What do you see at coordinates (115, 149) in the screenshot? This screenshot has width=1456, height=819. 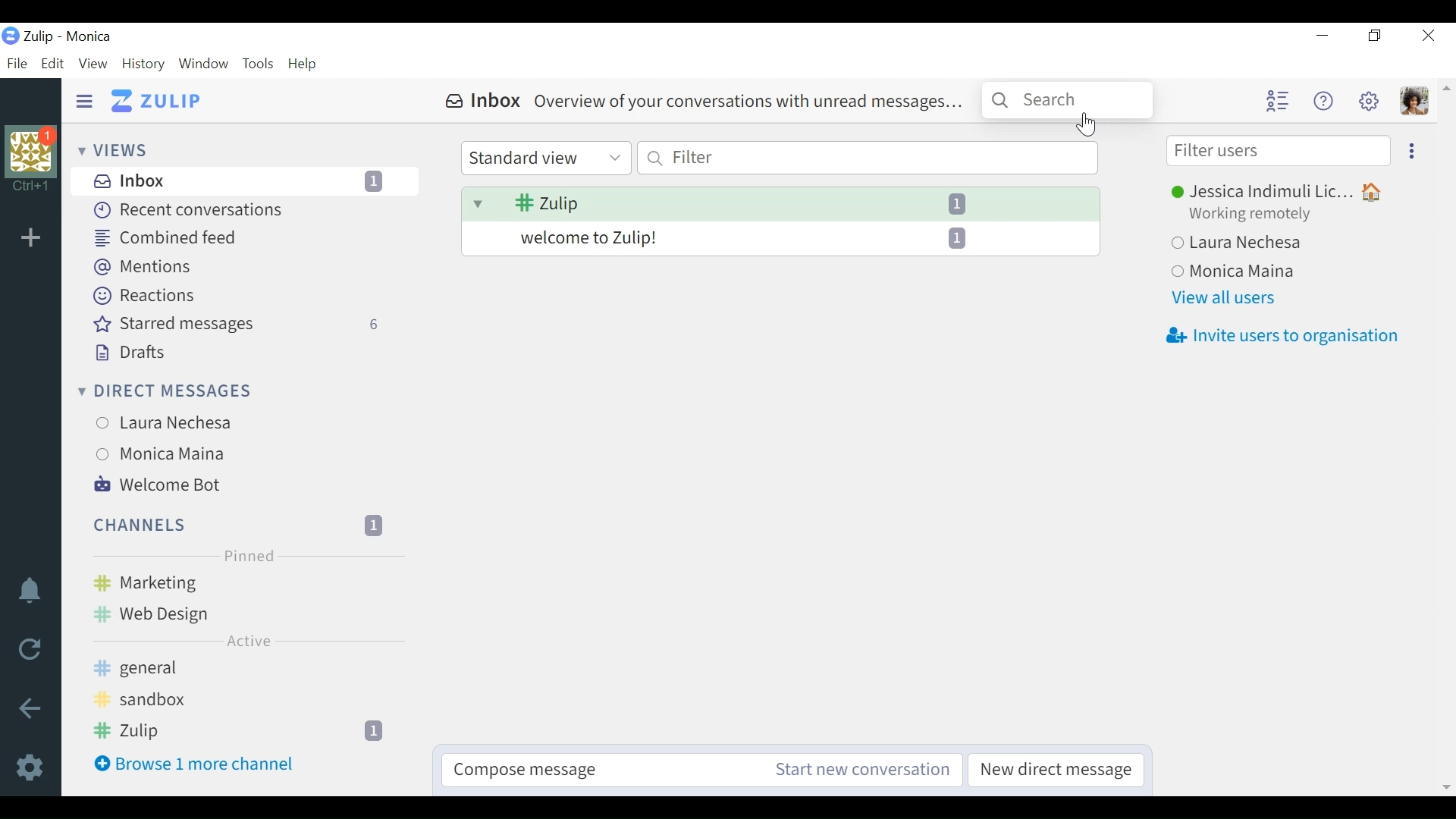 I see `Views` at bounding box center [115, 149].